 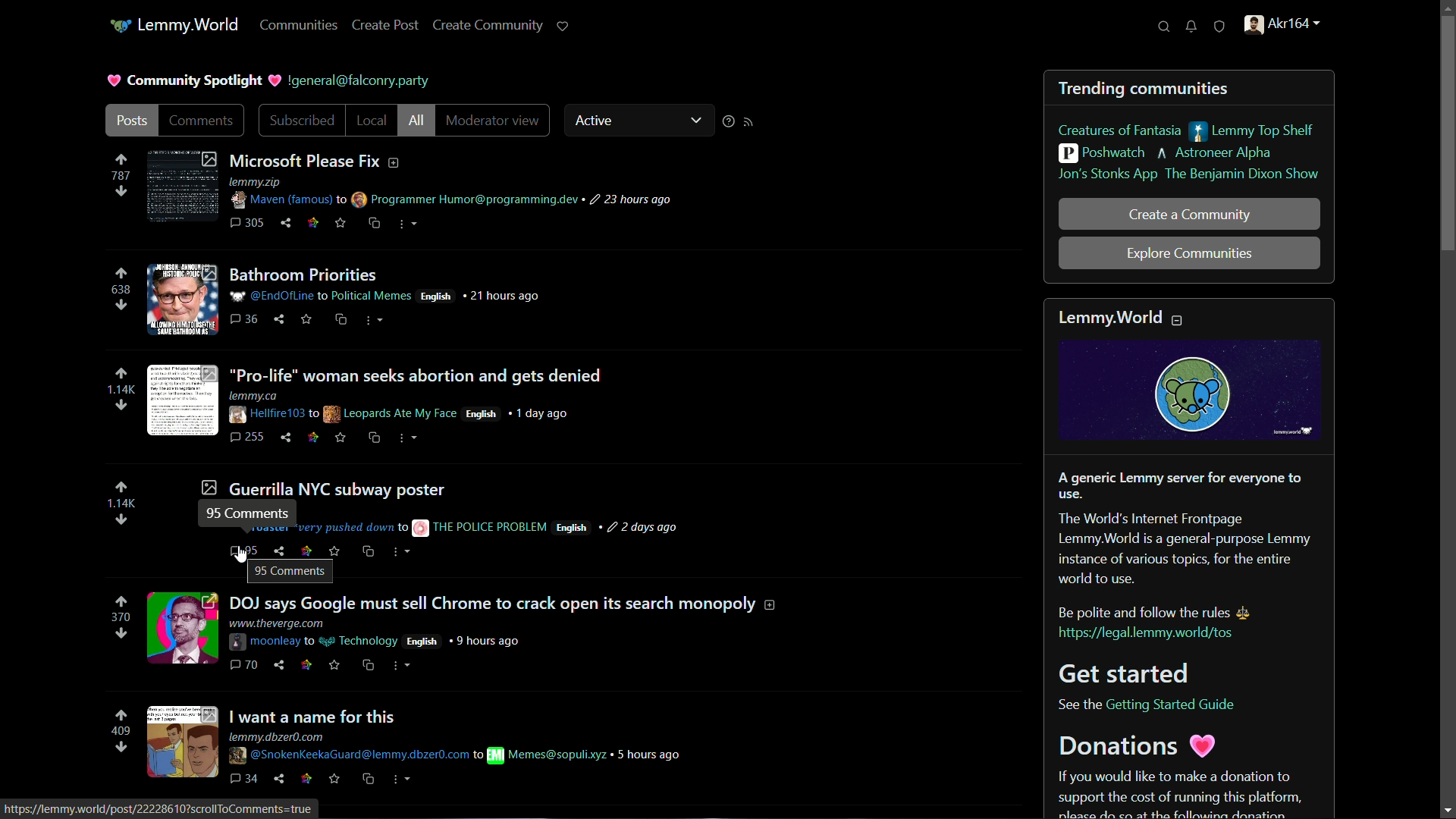 I want to click on , so click(x=491, y=527).